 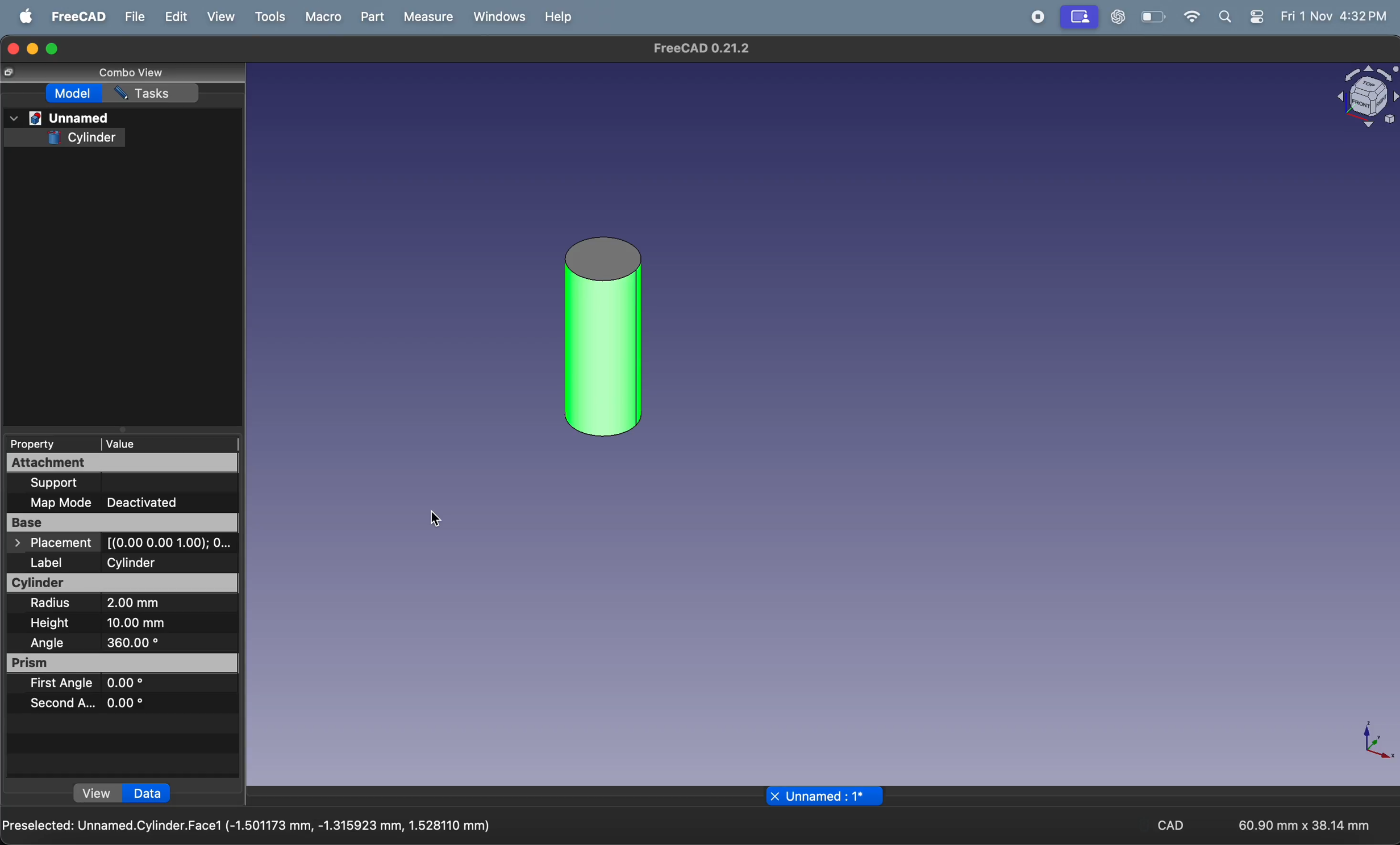 I want to click on 10.00 mm, so click(x=143, y=623).